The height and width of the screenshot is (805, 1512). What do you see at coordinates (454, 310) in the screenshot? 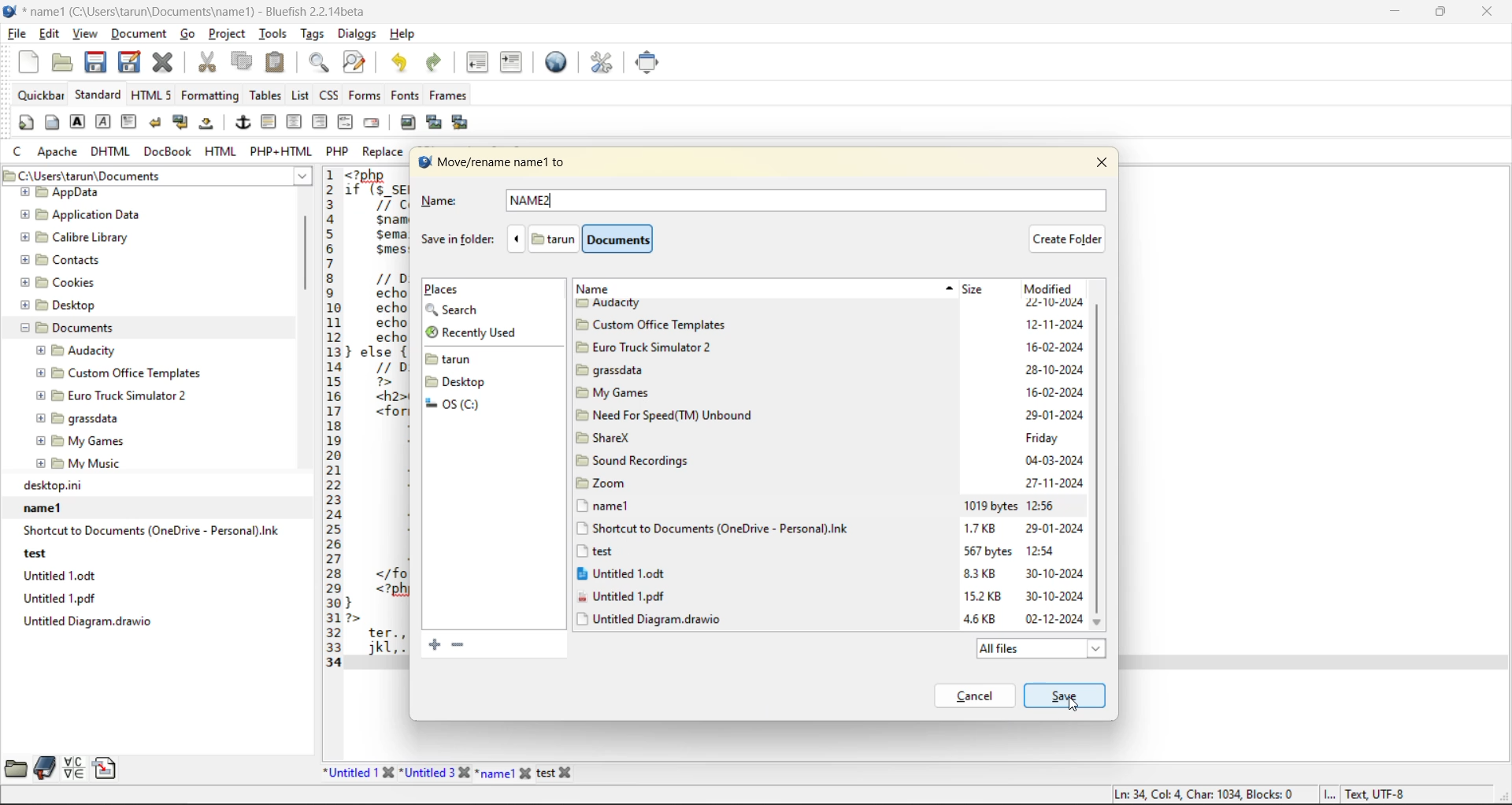
I see `search` at bounding box center [454, 310].